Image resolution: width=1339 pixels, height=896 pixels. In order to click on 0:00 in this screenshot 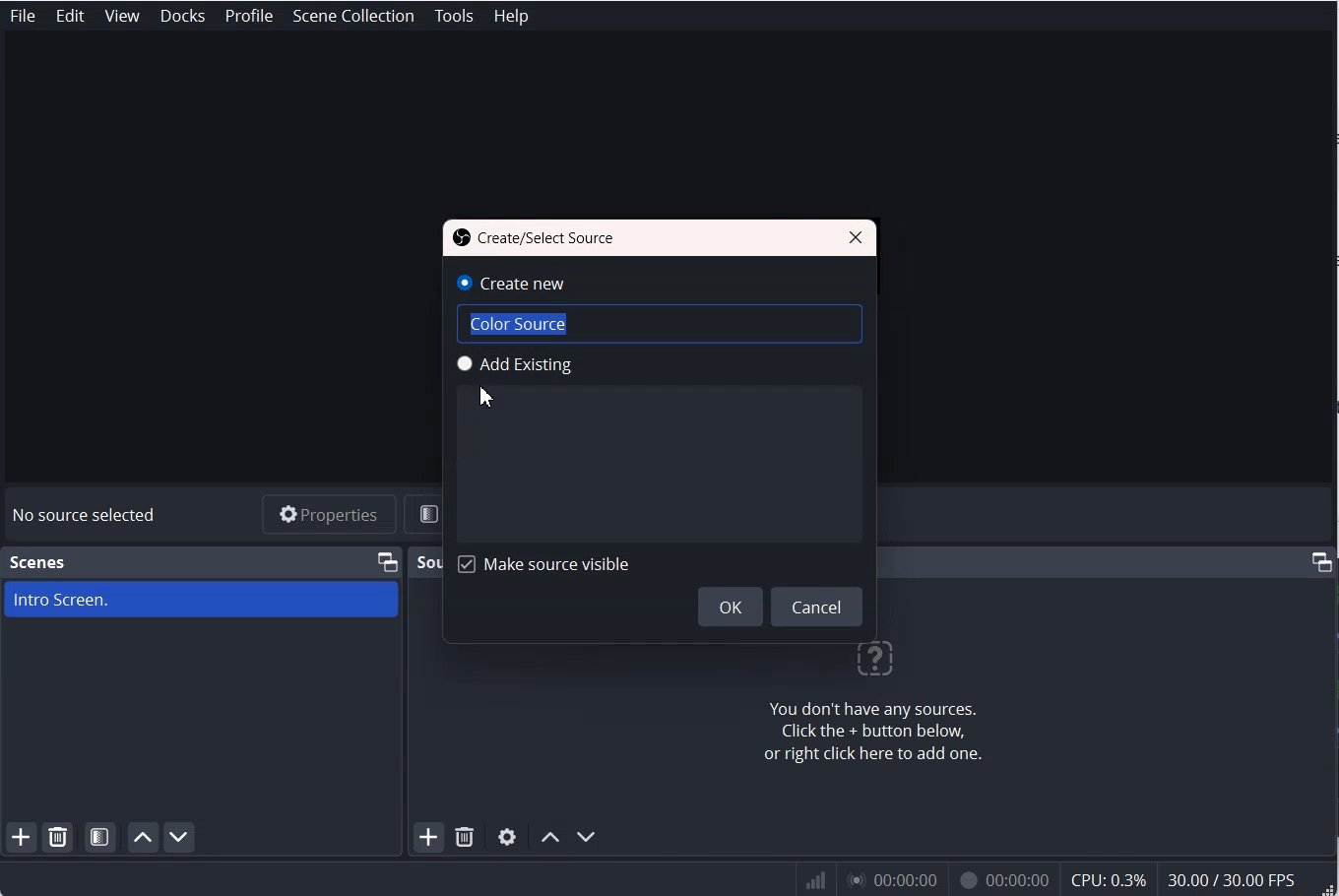, I will do `click(890, 882)`.